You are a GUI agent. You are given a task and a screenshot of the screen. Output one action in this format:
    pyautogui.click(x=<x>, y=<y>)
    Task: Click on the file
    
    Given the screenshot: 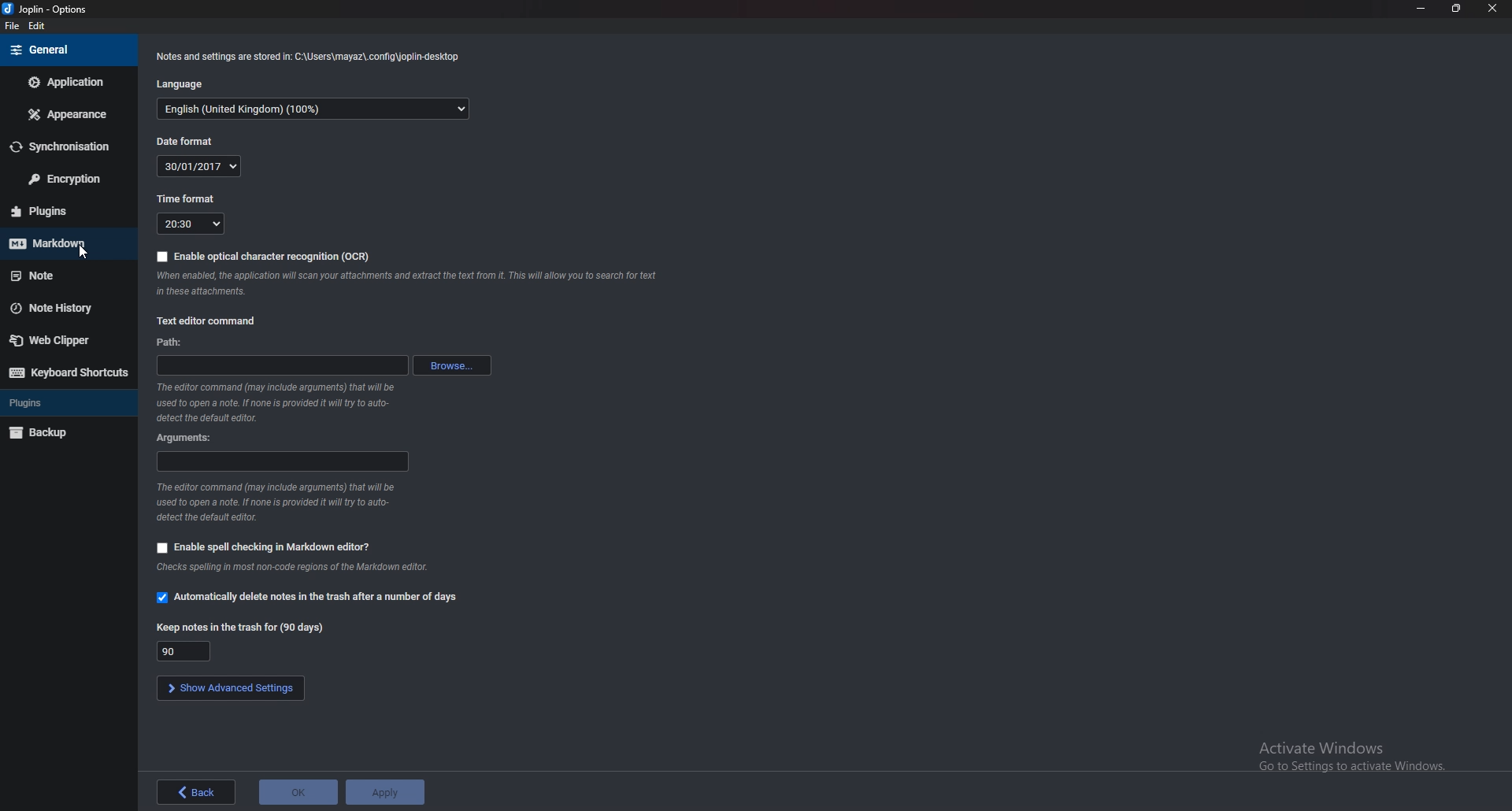 What is the action you would take?
    pyautogui.click(x=12, y=26)
    